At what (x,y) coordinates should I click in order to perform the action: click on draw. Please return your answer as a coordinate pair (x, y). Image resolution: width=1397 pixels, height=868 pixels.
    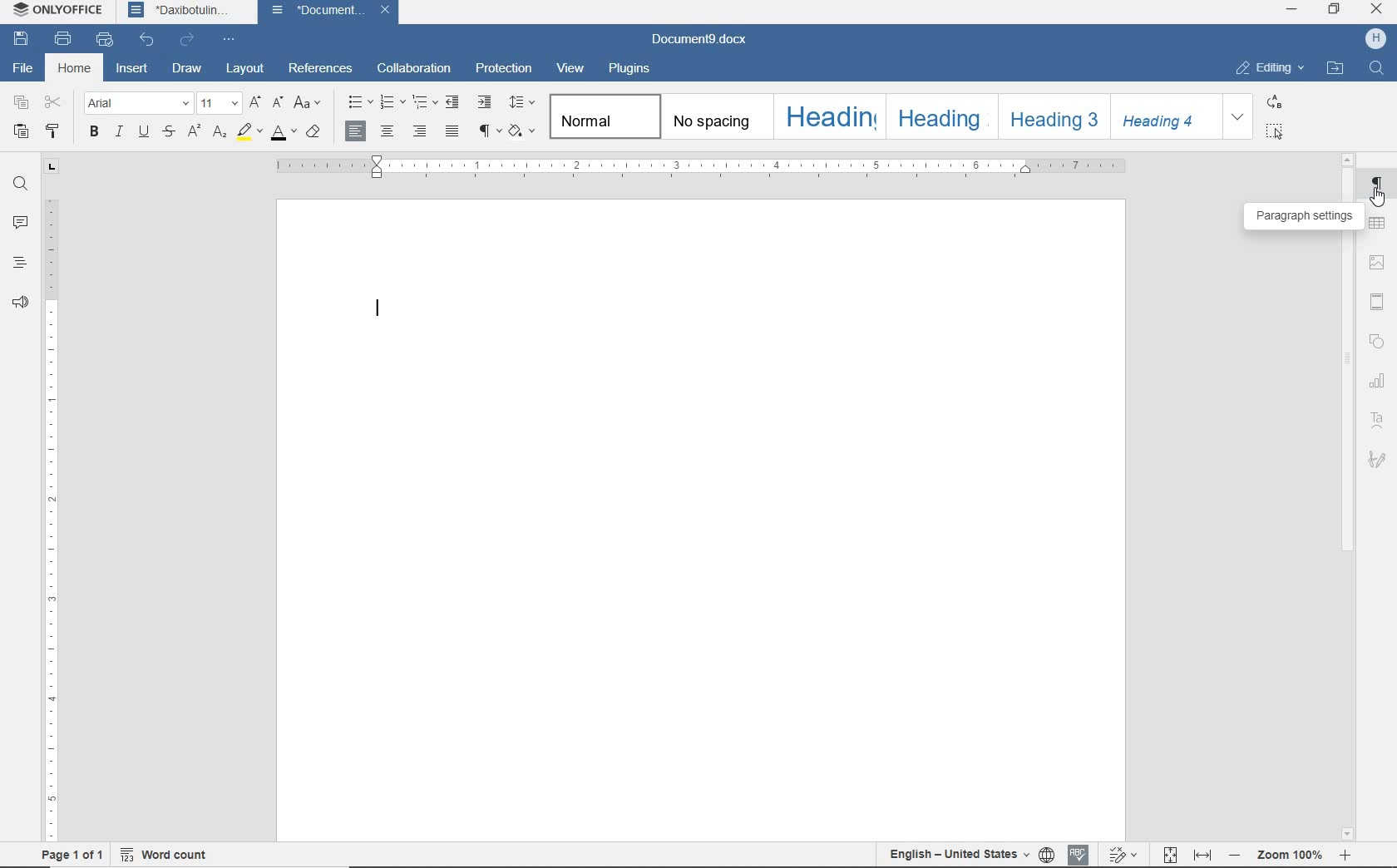
    Looking at the image, I should click on (190, 70).